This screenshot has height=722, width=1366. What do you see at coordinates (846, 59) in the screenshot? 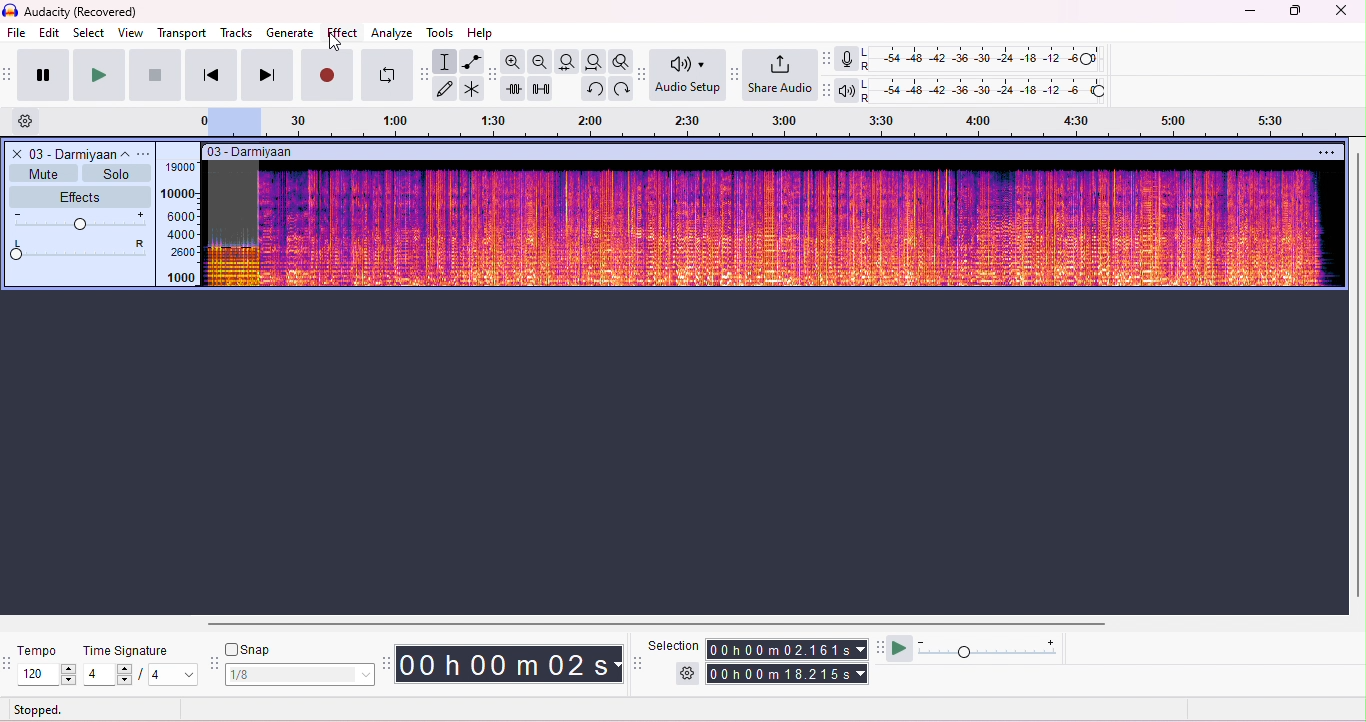
I see `record meter ` at bounding box center [846, 59].